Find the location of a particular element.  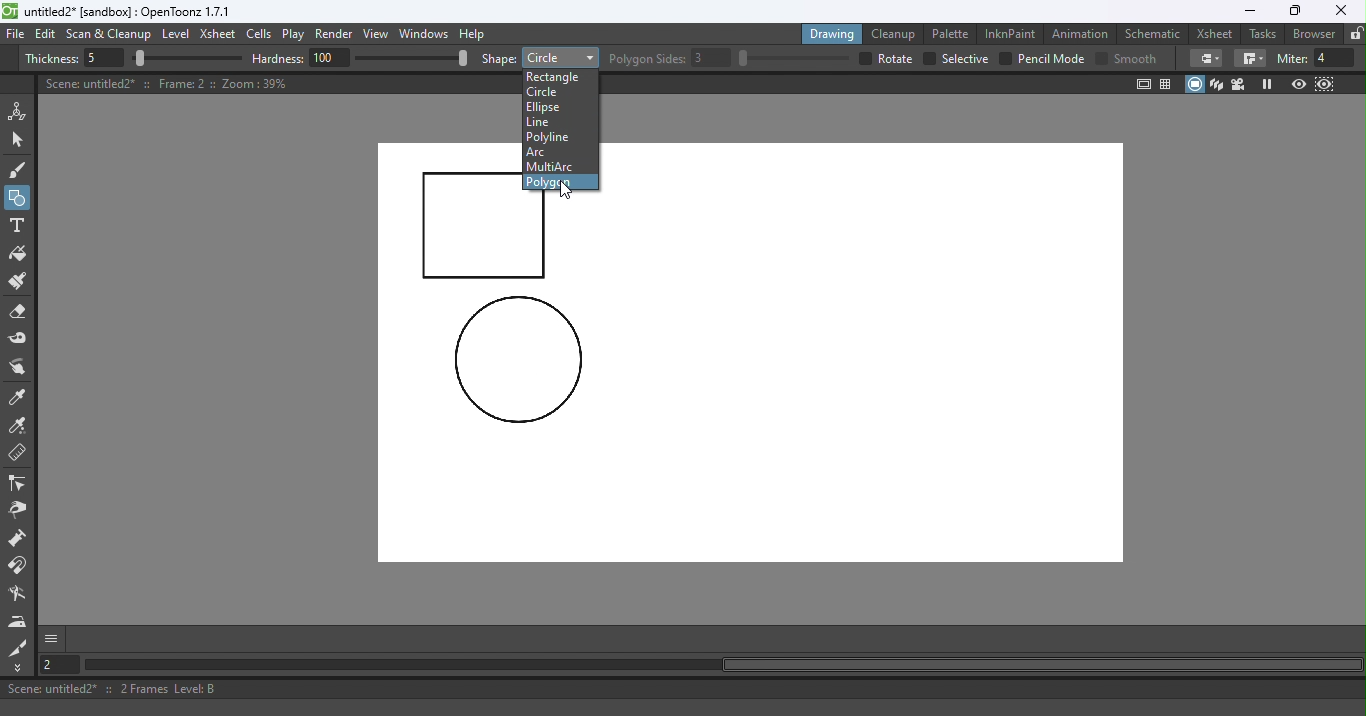

Sub-Camera view is located at coordinates (1326, 84).